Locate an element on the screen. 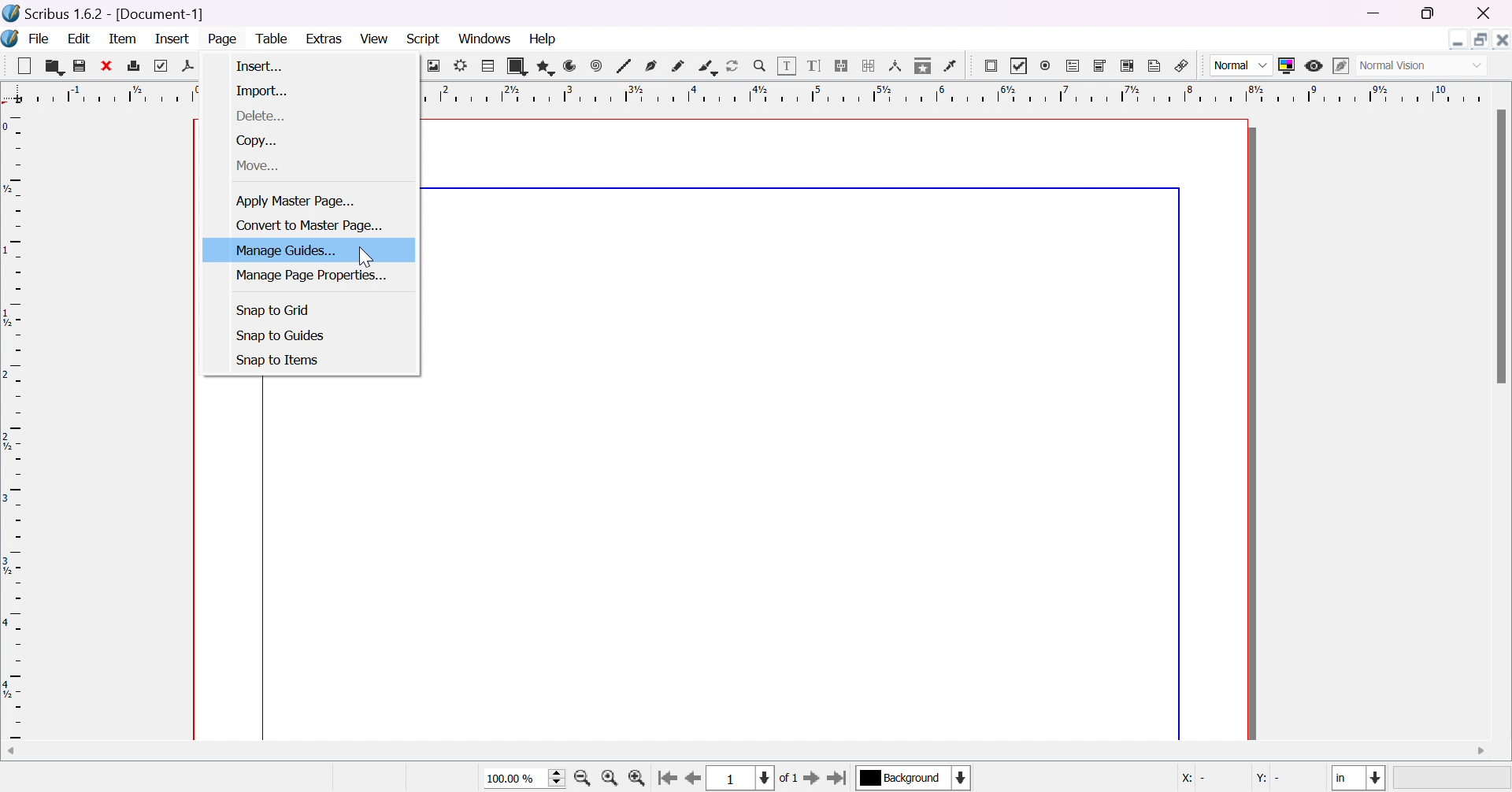  go to next page is located at coordinates (812, 779).